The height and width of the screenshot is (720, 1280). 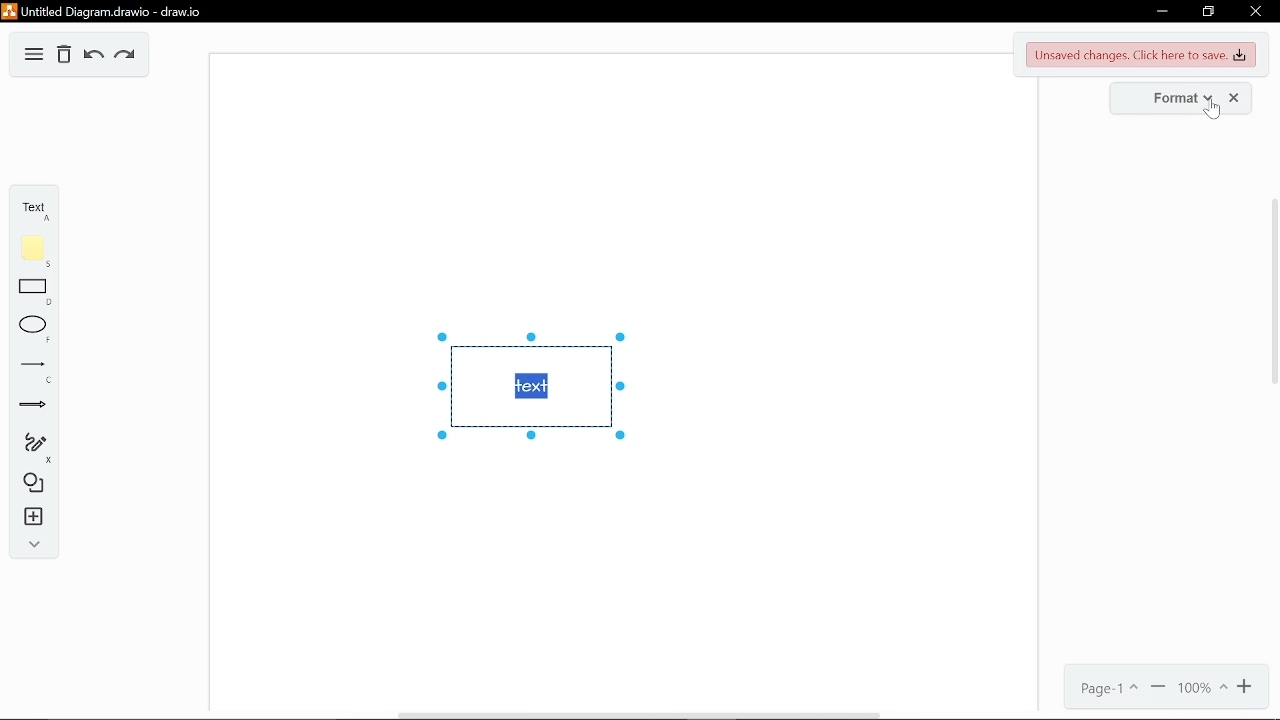 What do you see at coordinates (30, 407) in the screenshot?
I see `arrows` at bounding box center [30, 407].